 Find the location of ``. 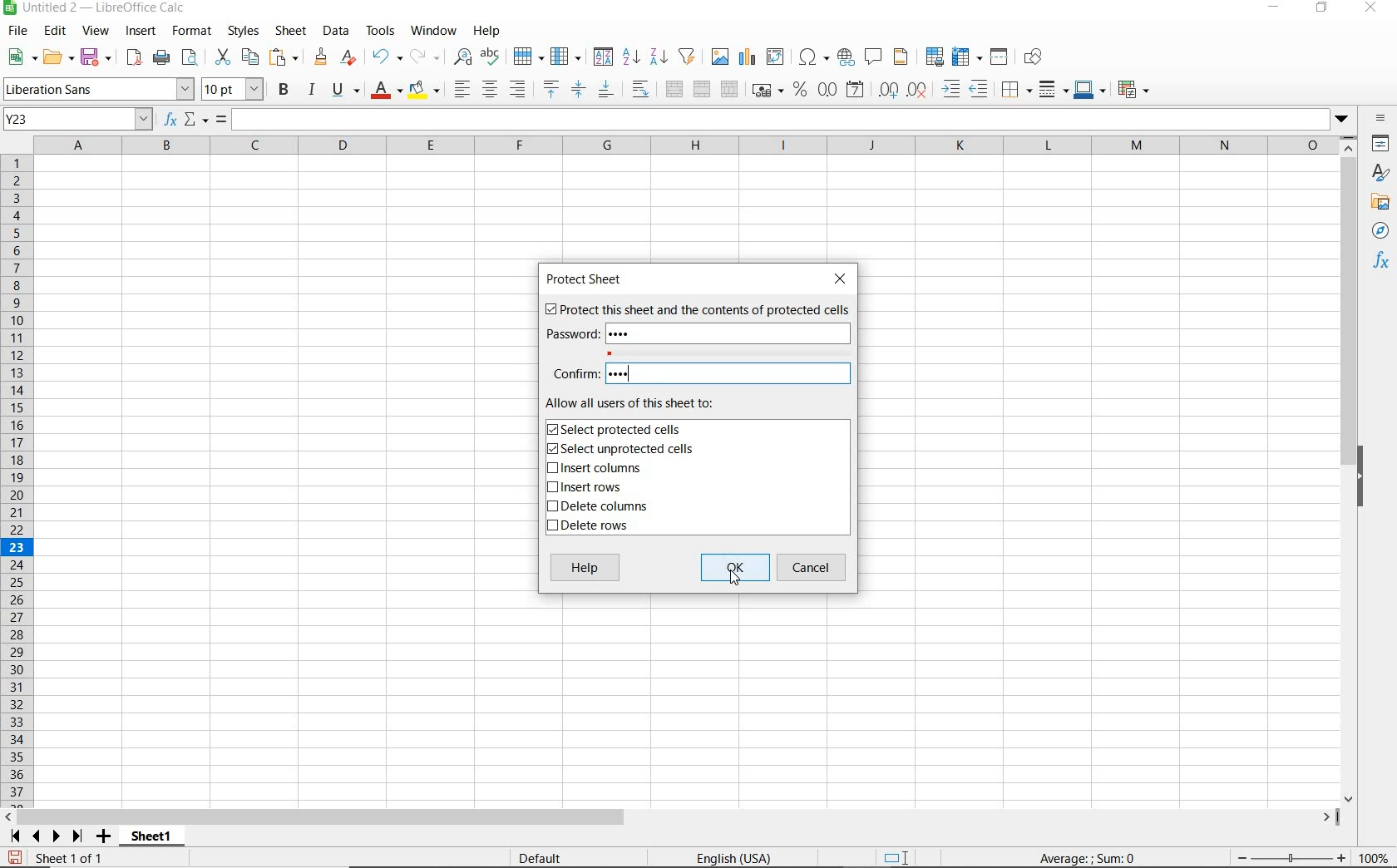

 is located at coordinates (734, 566).